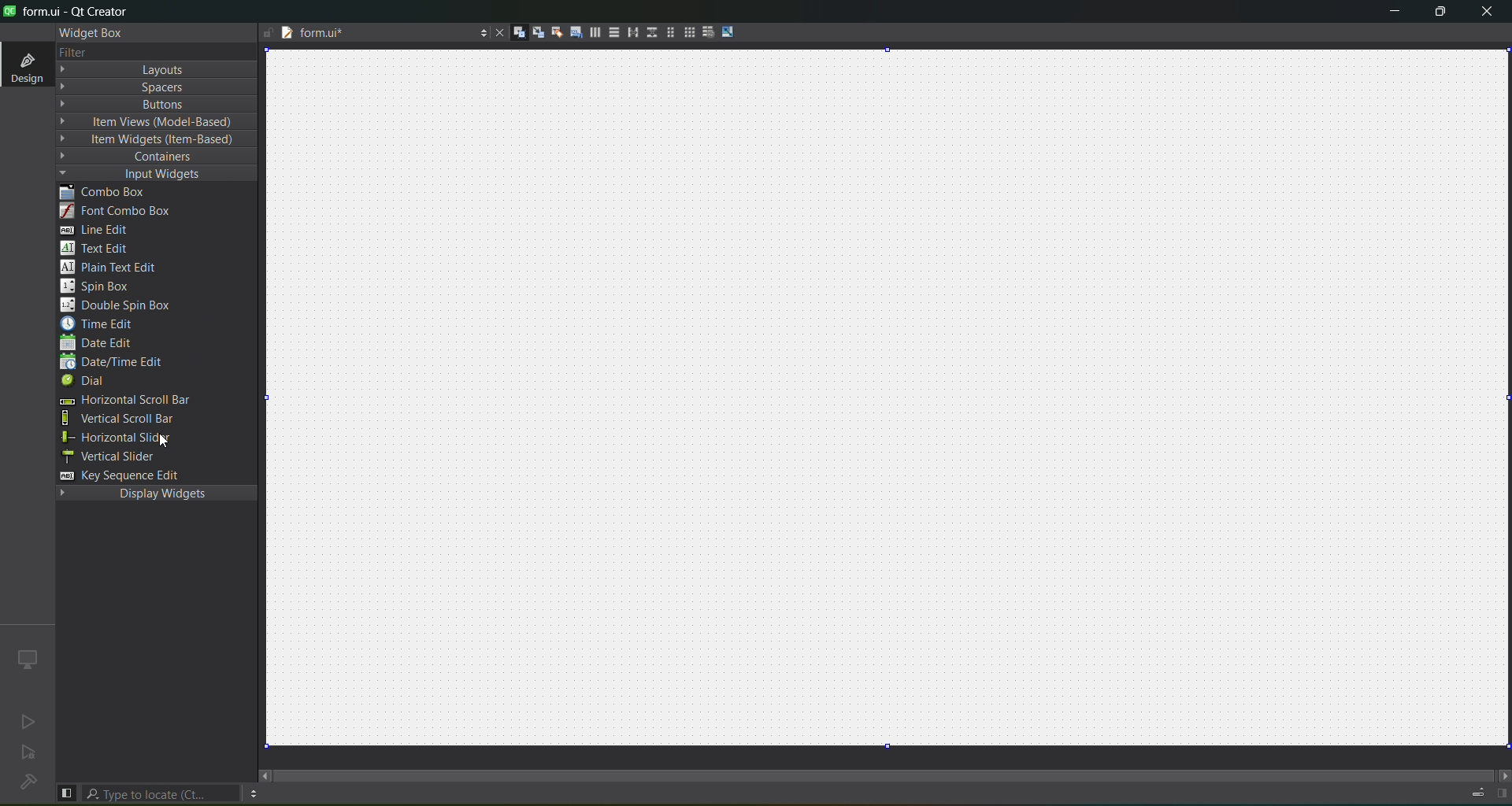  I want to click on plain text edit, so click(116, 269).